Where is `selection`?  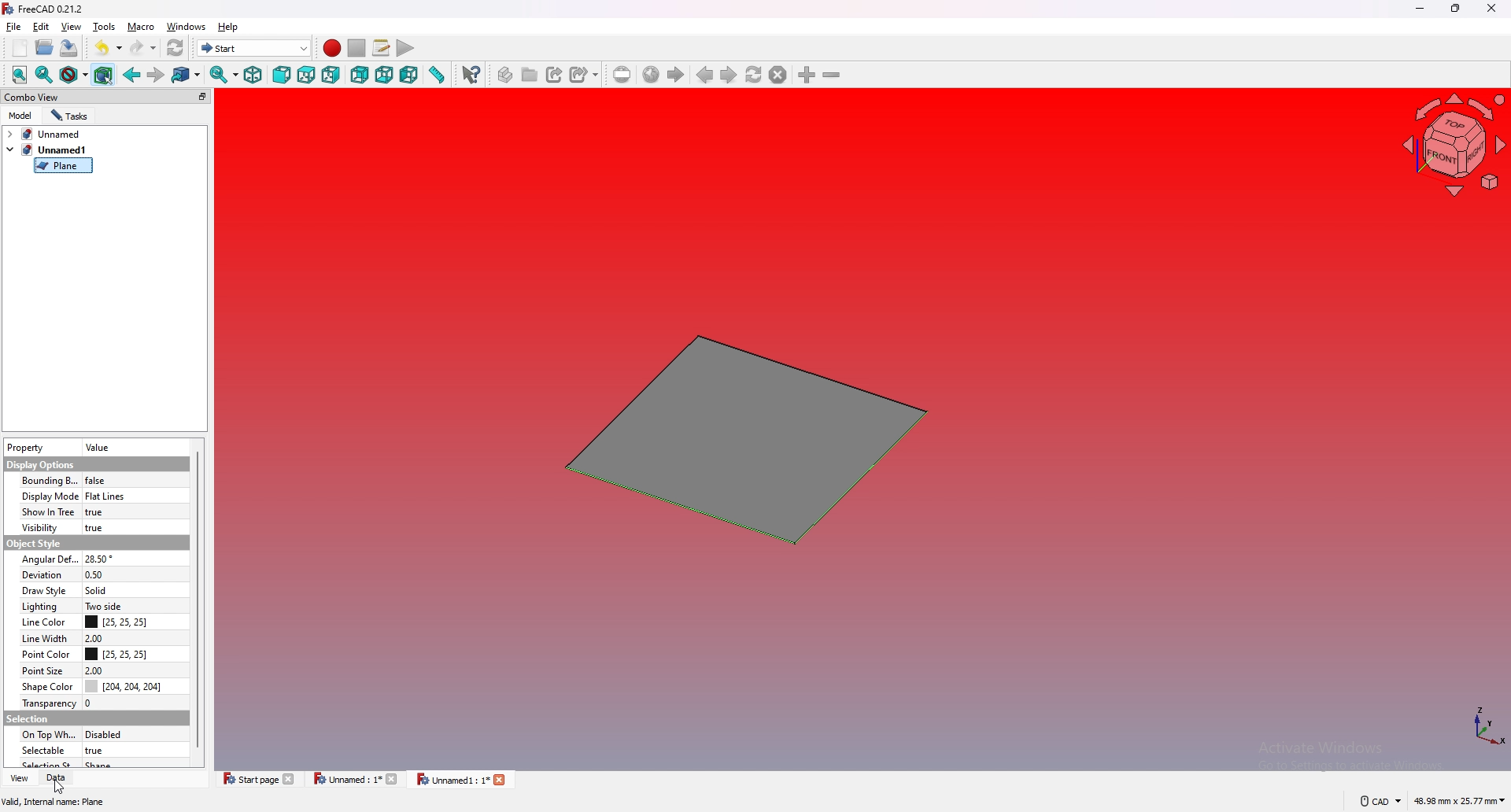
selection is located at coordinates (29, 718).